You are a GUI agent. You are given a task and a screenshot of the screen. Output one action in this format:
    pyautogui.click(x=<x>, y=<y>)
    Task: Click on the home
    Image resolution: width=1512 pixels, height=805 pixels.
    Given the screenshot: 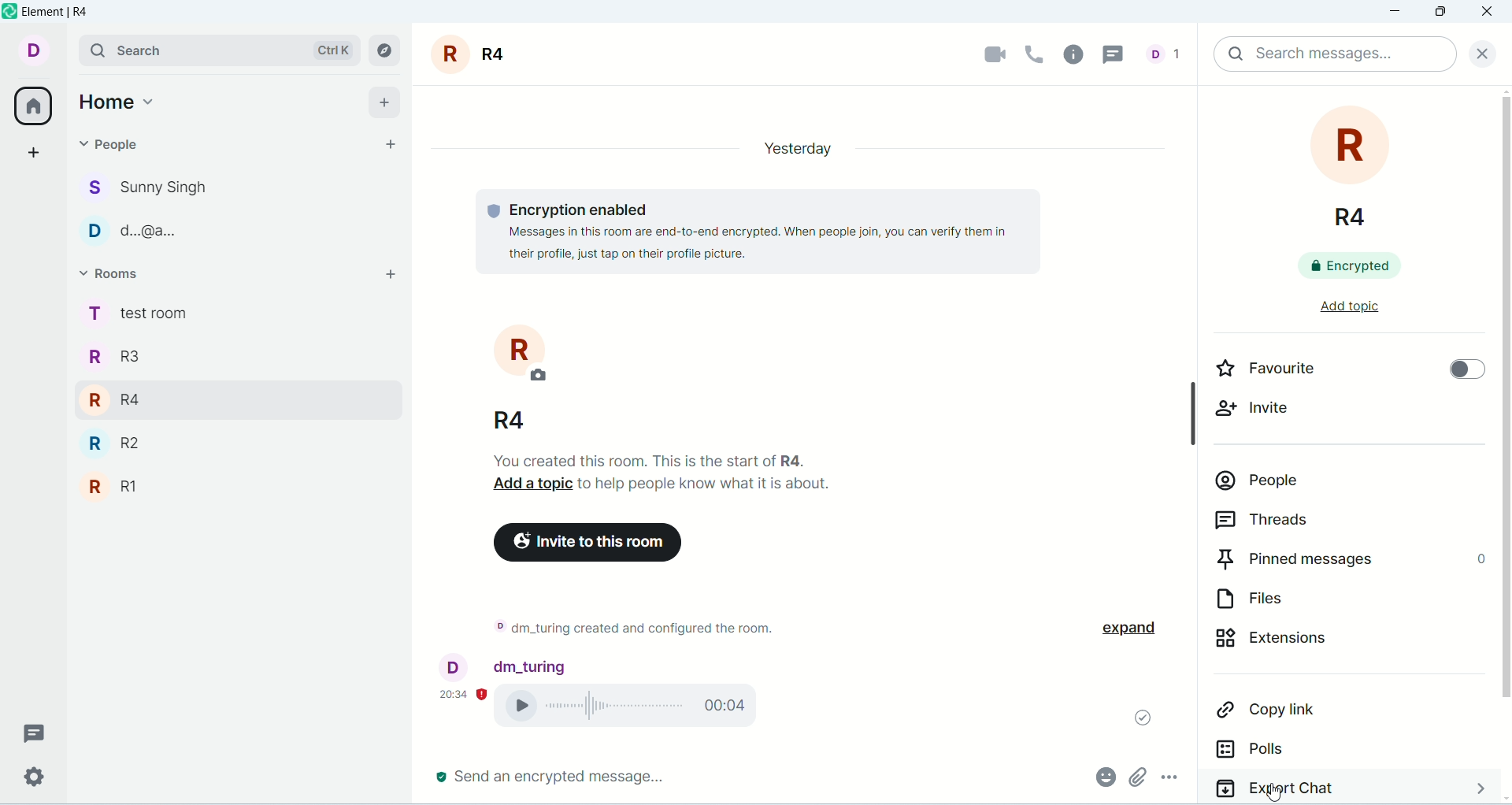 What is the action you would take?
    pyautogui.click(x=119, y=98)
    